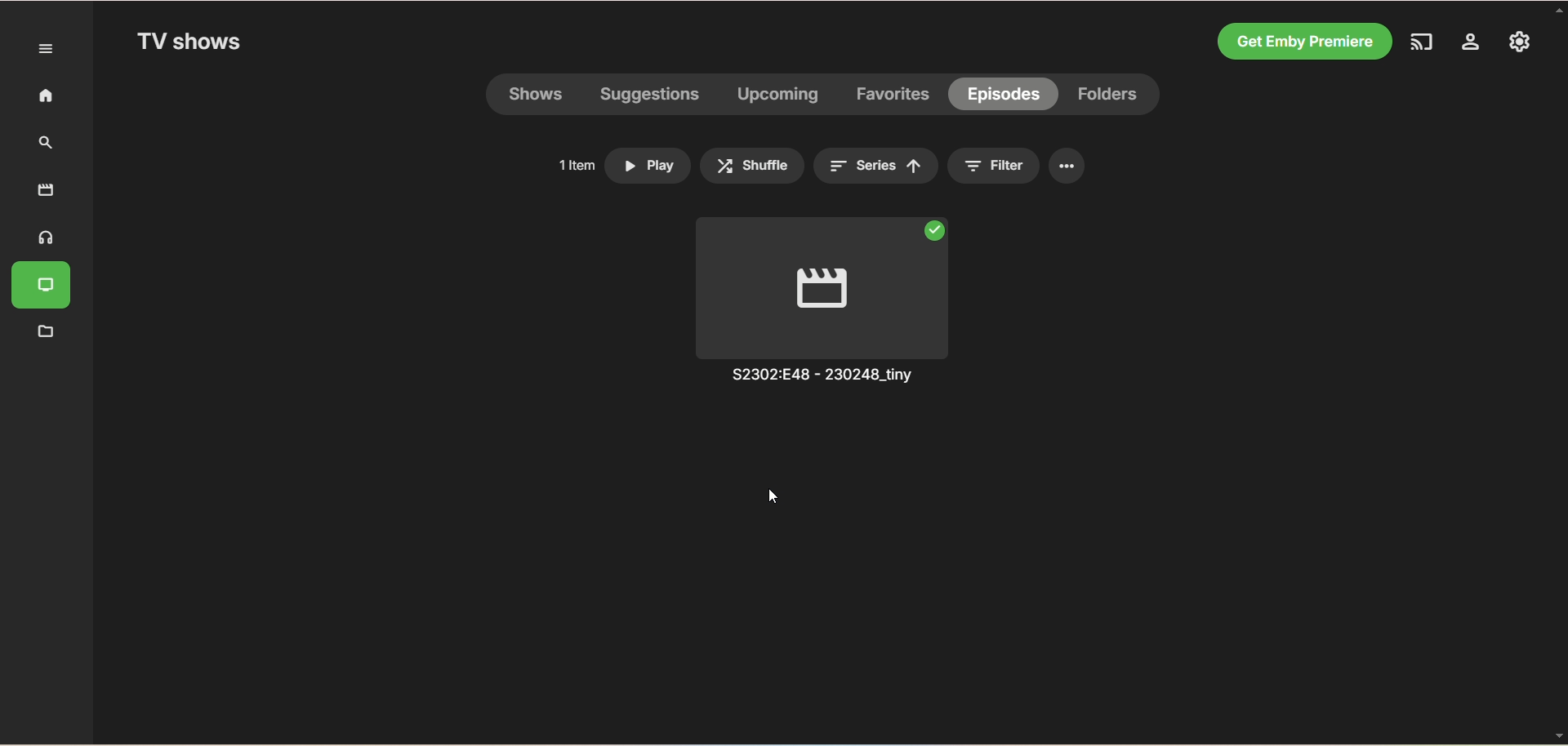 This screenshot has height=746, width=1568. I want to click on shows, so click(541, 96).